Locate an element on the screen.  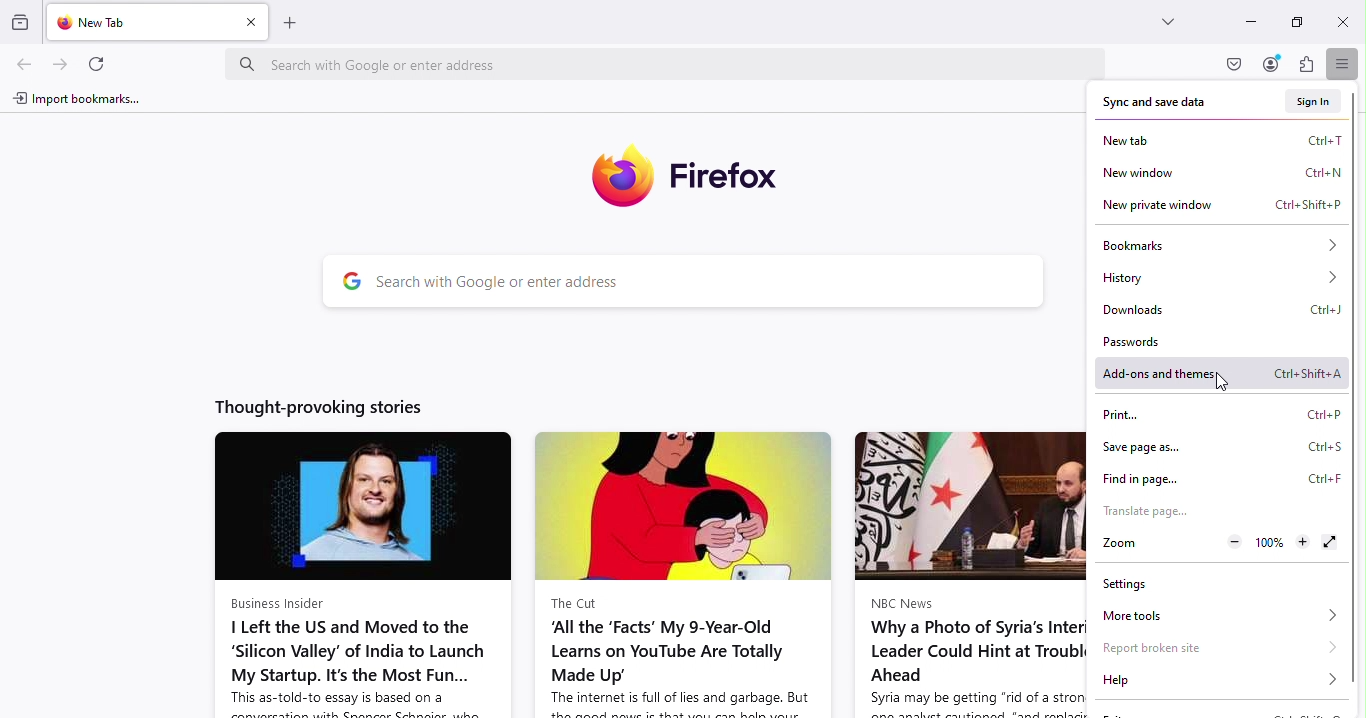
Thought-provoking stories is located at coordinates (318, 409).